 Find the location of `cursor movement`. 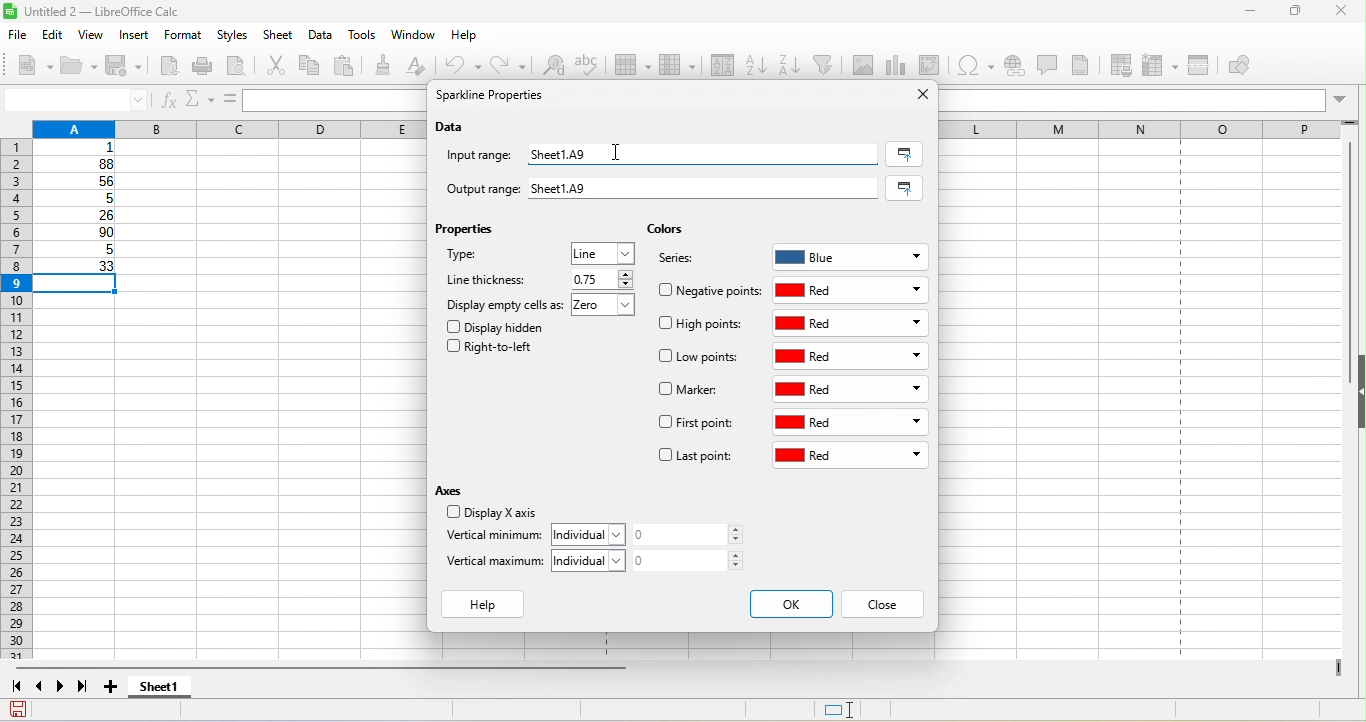

cursor movement is located at coordinates (615, 150).